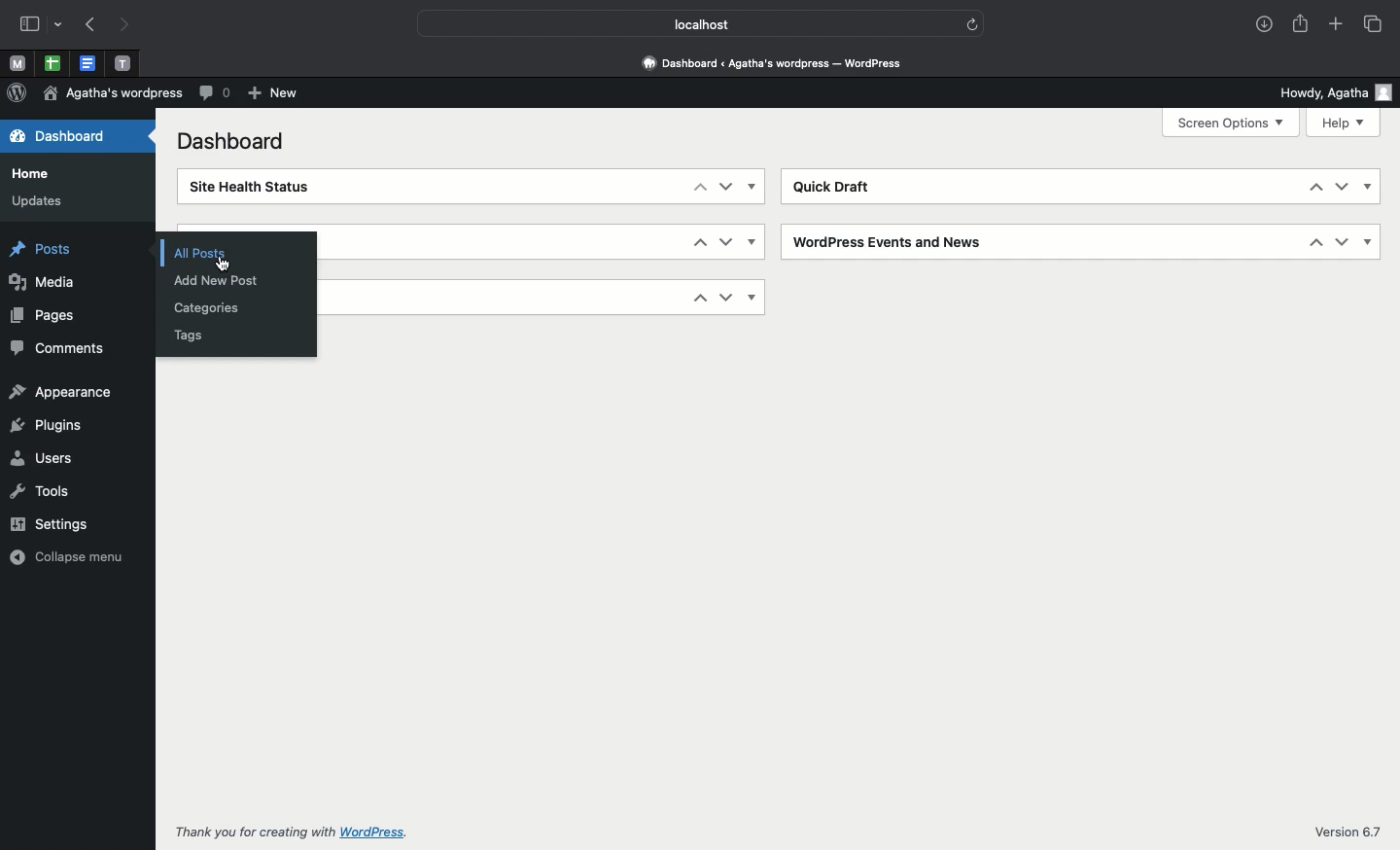 This screenshot has height=850, width=1400. I want to click on Tabs, so click(1371, 22).